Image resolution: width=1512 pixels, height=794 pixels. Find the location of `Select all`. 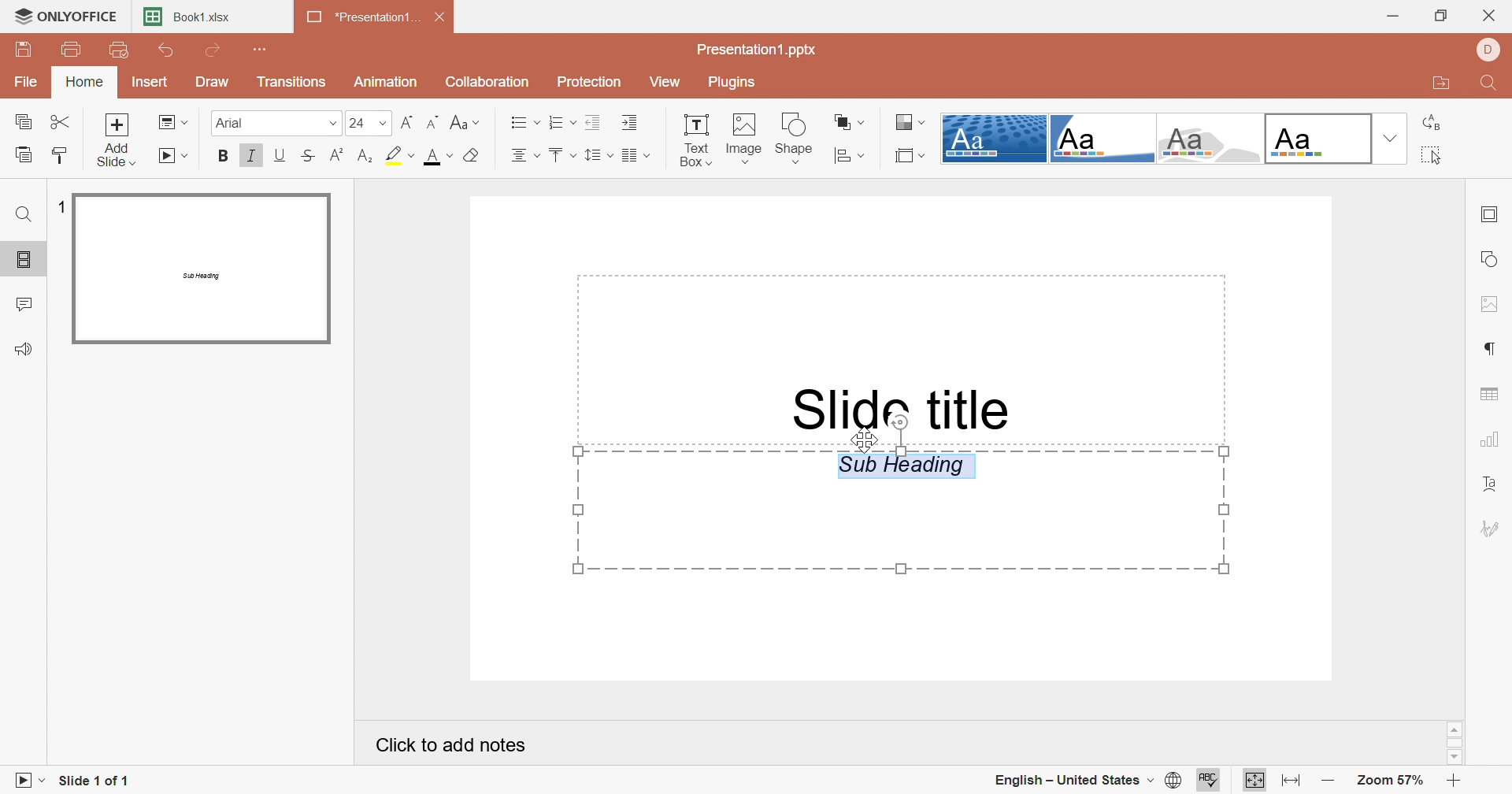

Select all is located at coordinates (1431, 156).